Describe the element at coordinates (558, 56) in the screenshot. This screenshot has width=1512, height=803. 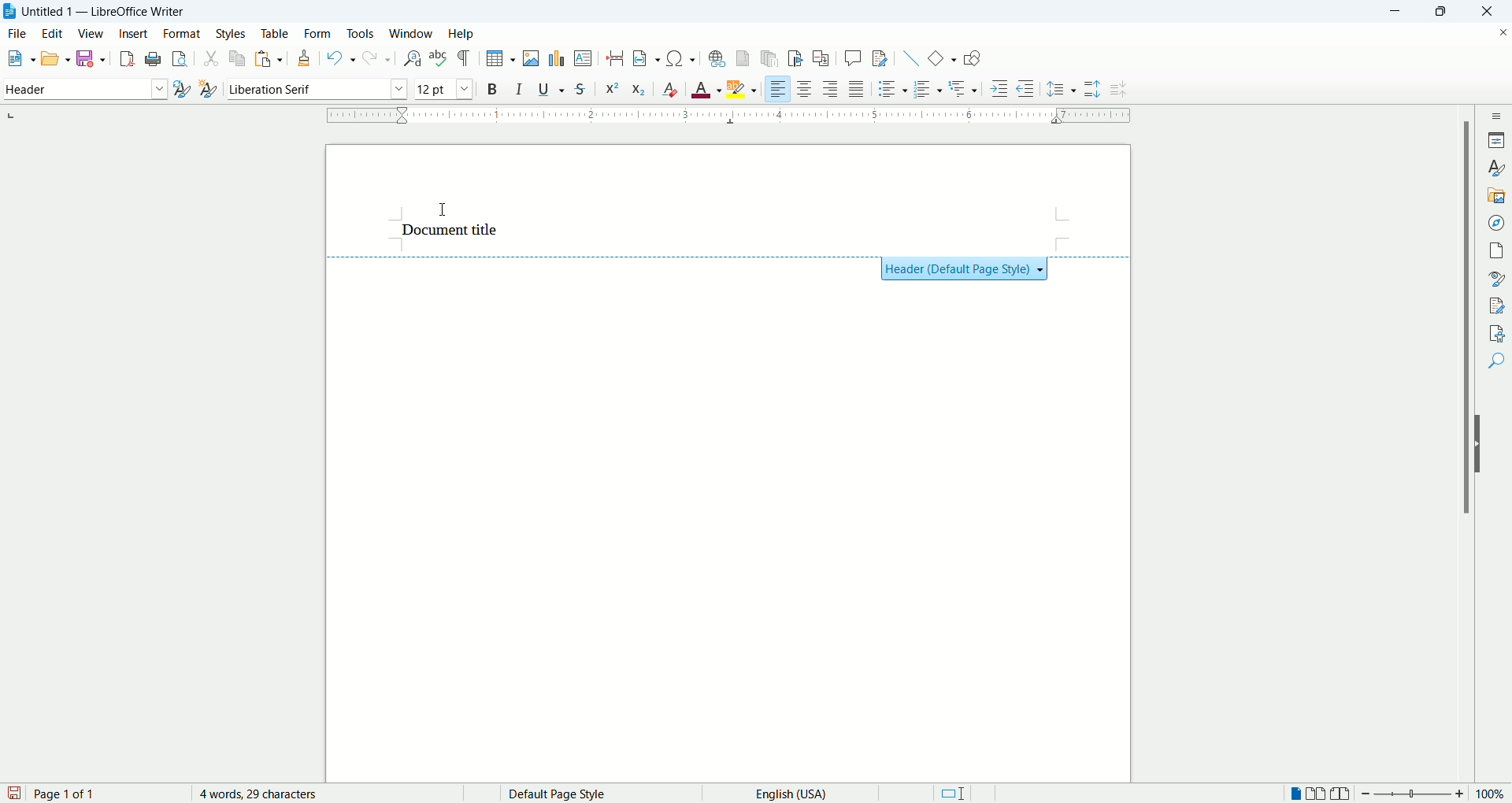
I see `insert chart` at that location.